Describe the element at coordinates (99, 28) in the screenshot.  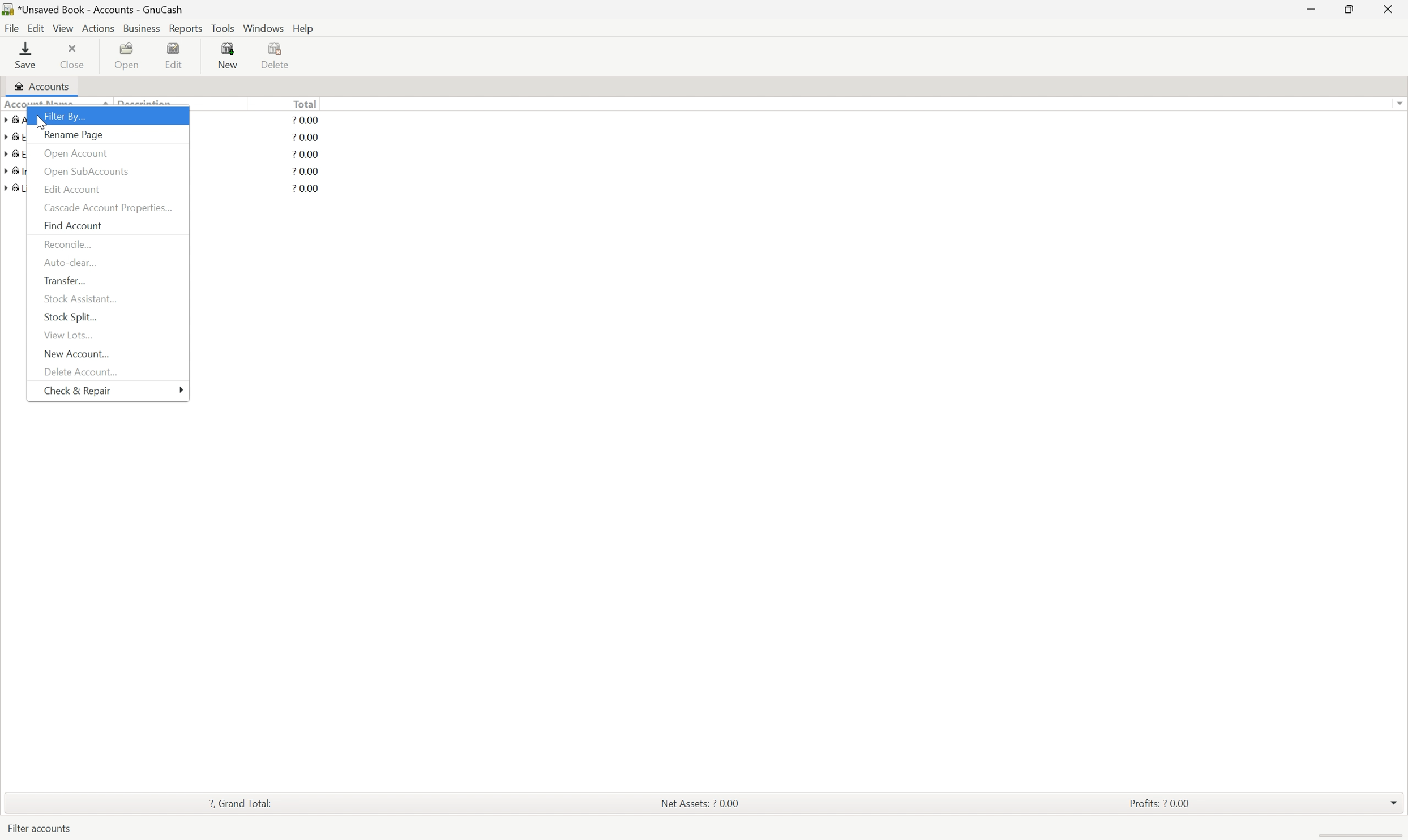
I see `Actions` at that location.